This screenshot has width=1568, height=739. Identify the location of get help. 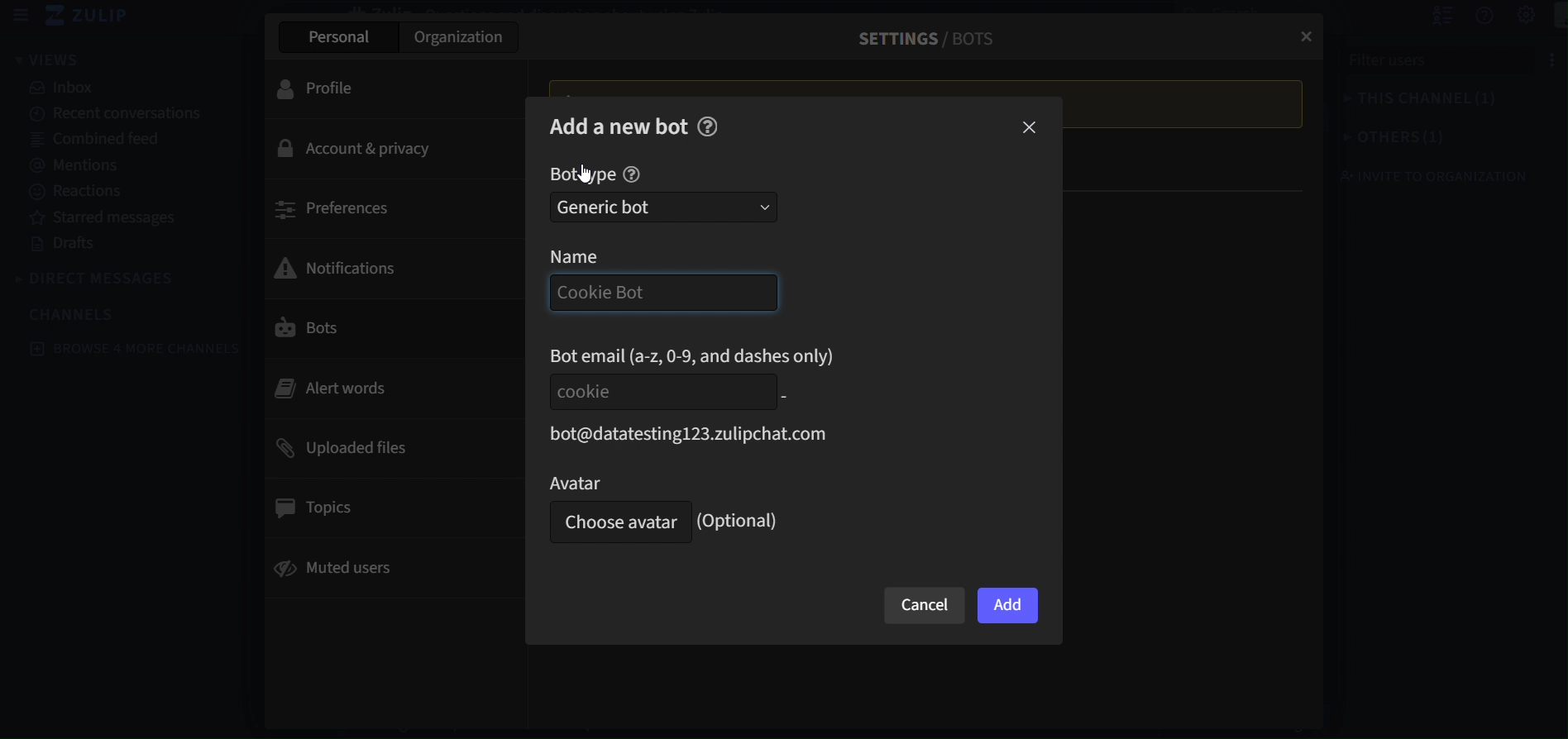
(1466, 17).